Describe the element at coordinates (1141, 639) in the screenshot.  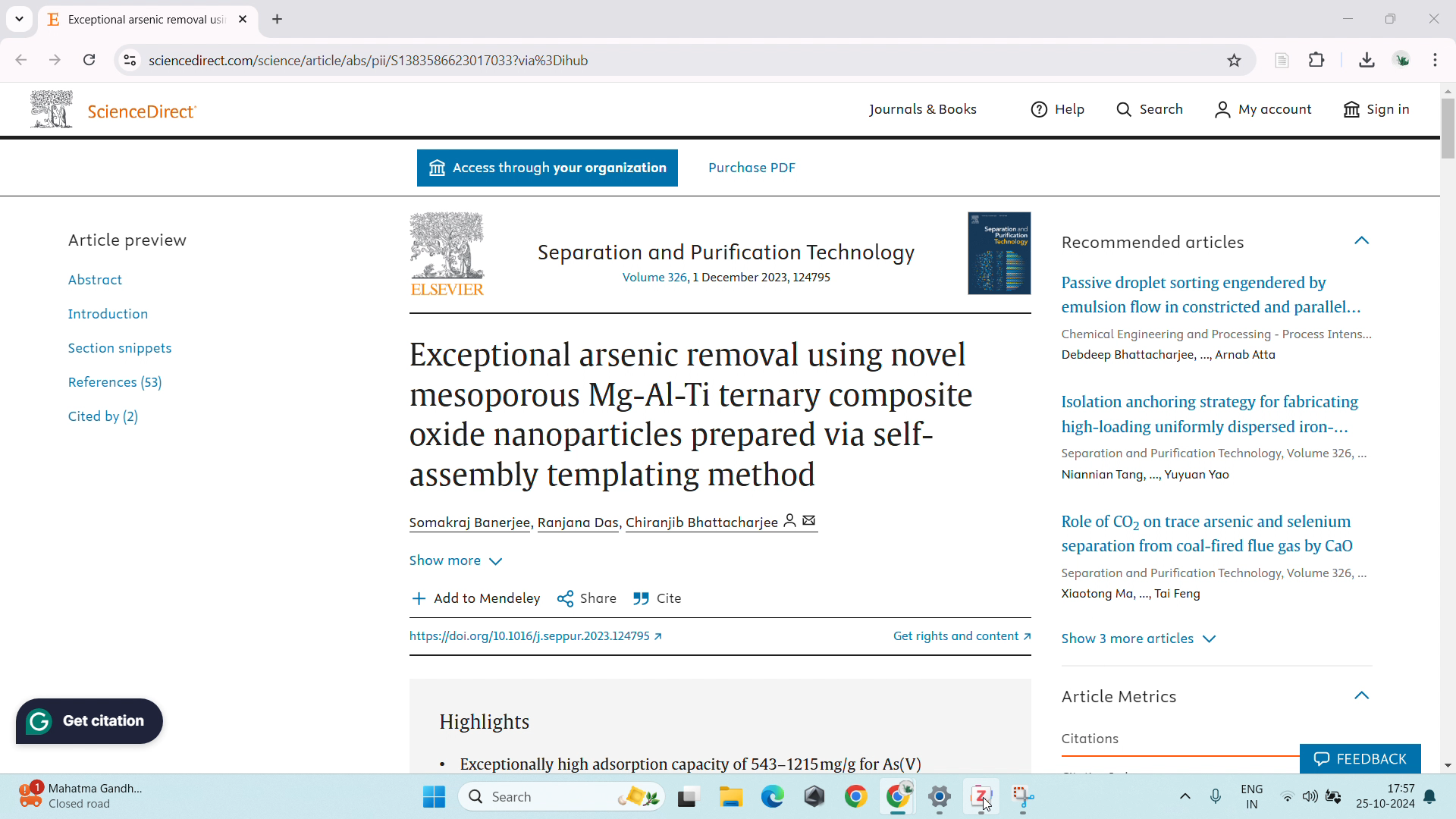
I see `Show 3 more articles ` at that location.